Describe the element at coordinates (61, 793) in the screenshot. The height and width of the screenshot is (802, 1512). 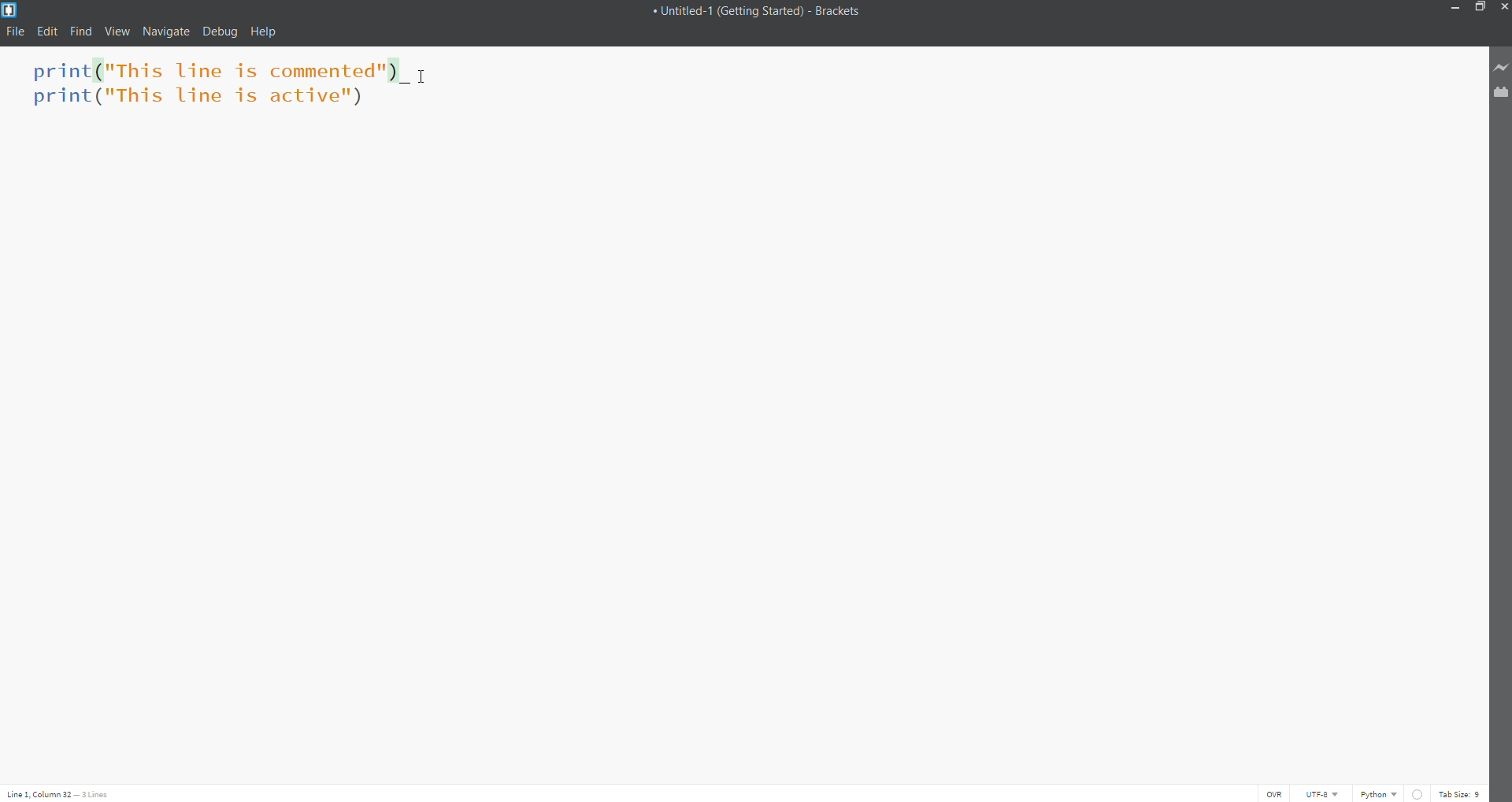
I see `Line and Column` at that location.